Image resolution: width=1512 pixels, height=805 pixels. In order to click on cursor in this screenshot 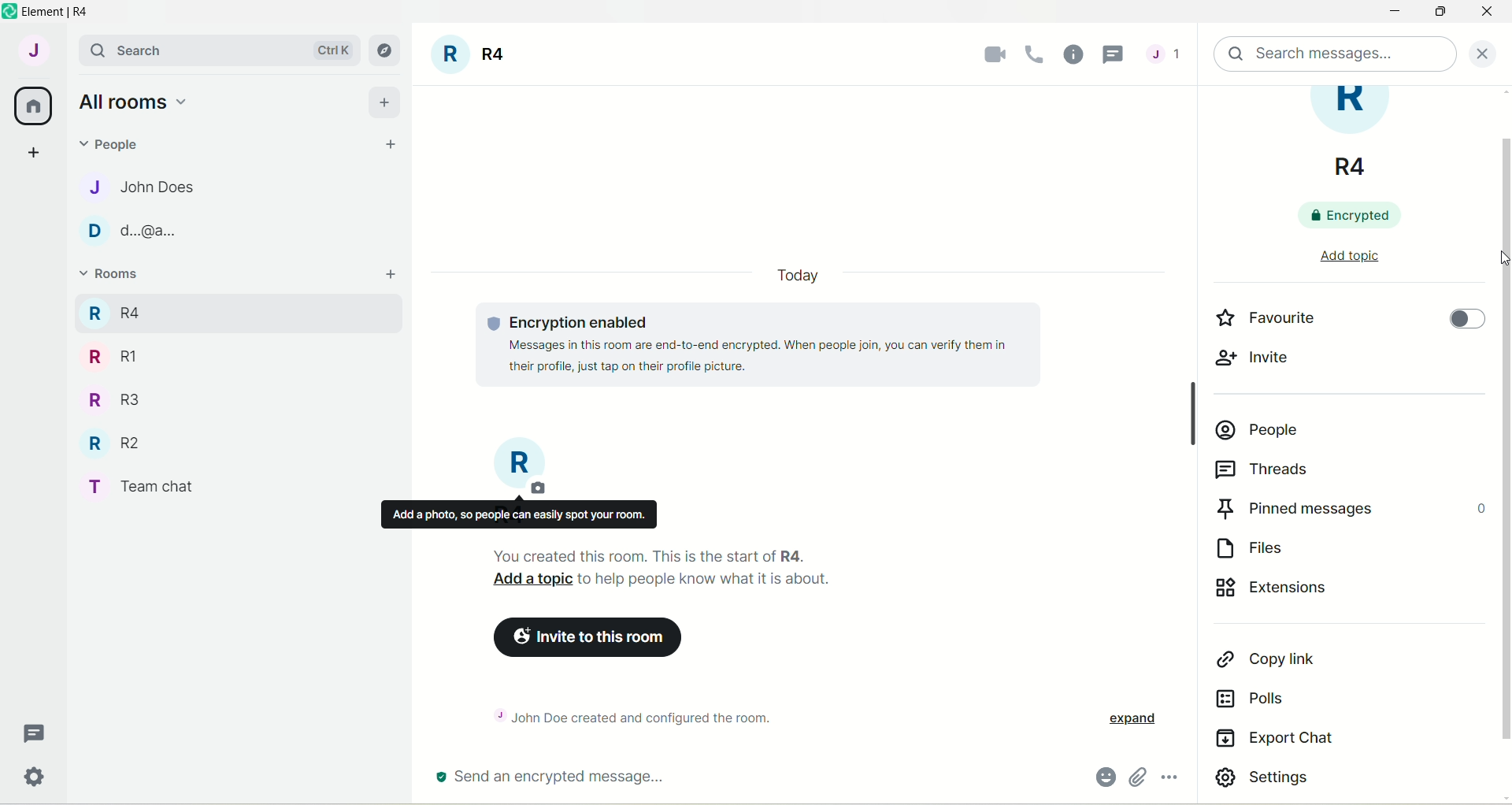, I will do `click(1116, 55)`.